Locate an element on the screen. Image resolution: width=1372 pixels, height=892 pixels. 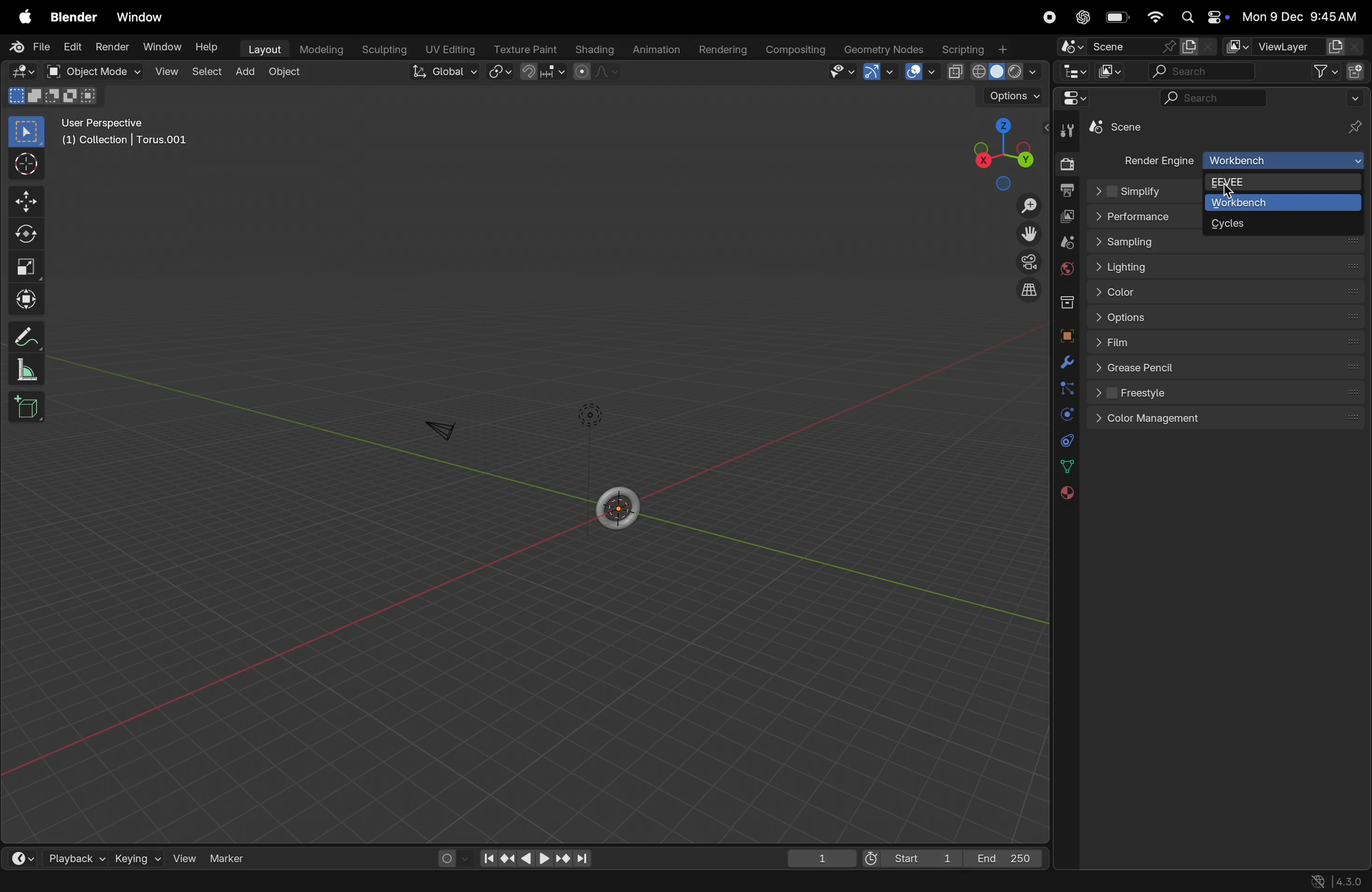
texture point is located at coordinates (523, 49).